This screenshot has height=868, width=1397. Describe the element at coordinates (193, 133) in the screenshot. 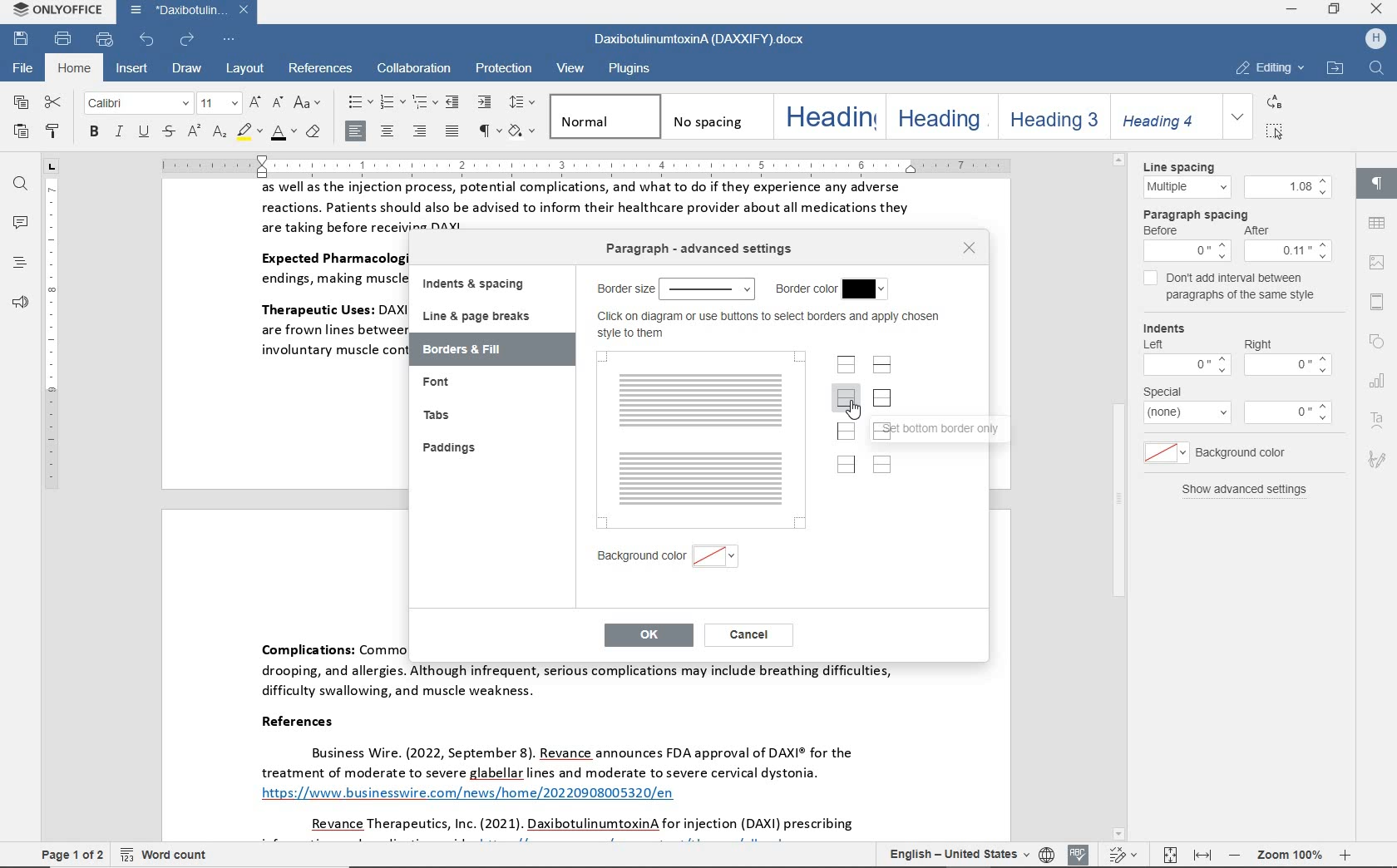

I see `superscript` at that location.